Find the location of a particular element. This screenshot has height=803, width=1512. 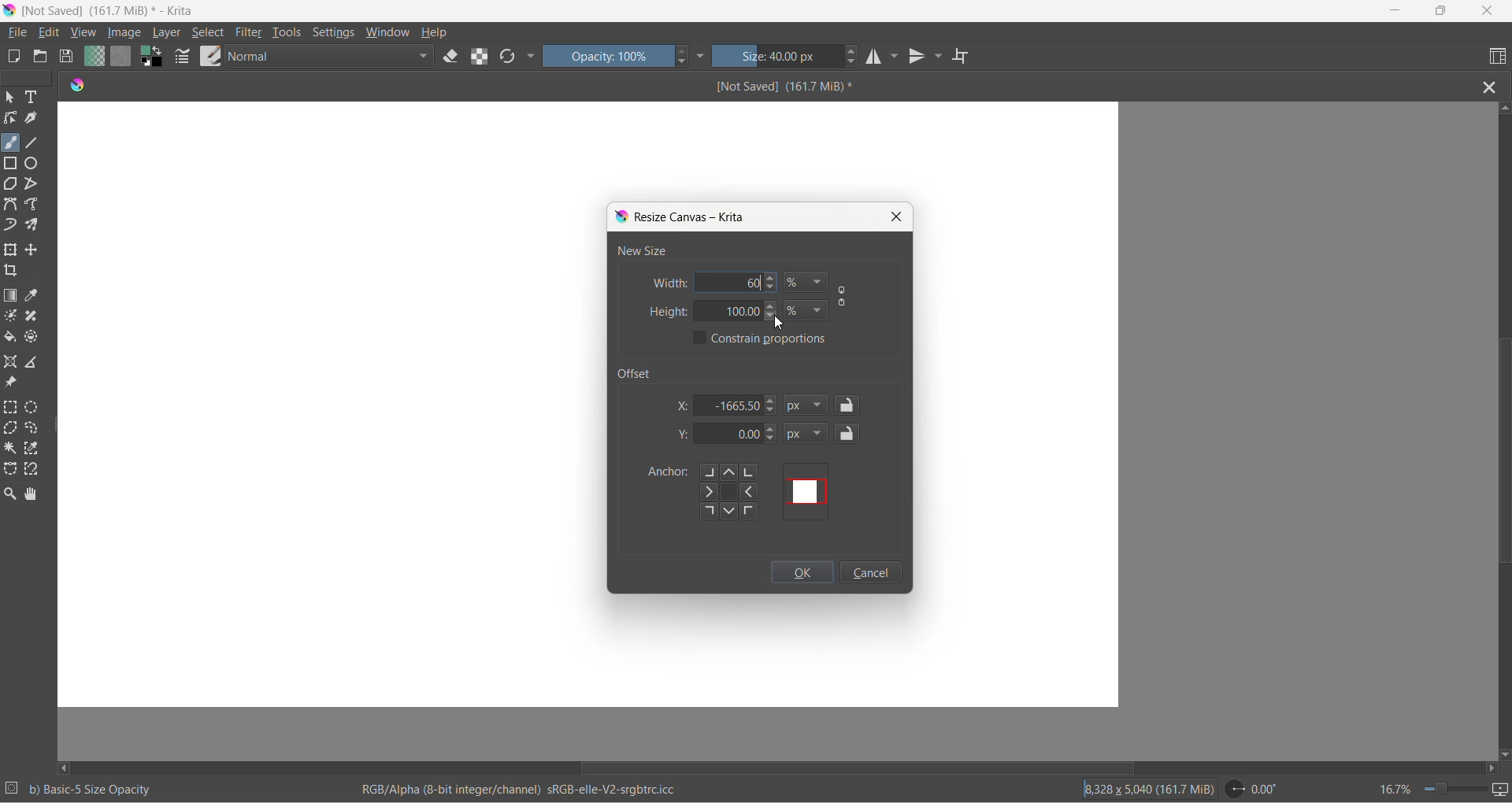

 is located at coordinates (683, 435).